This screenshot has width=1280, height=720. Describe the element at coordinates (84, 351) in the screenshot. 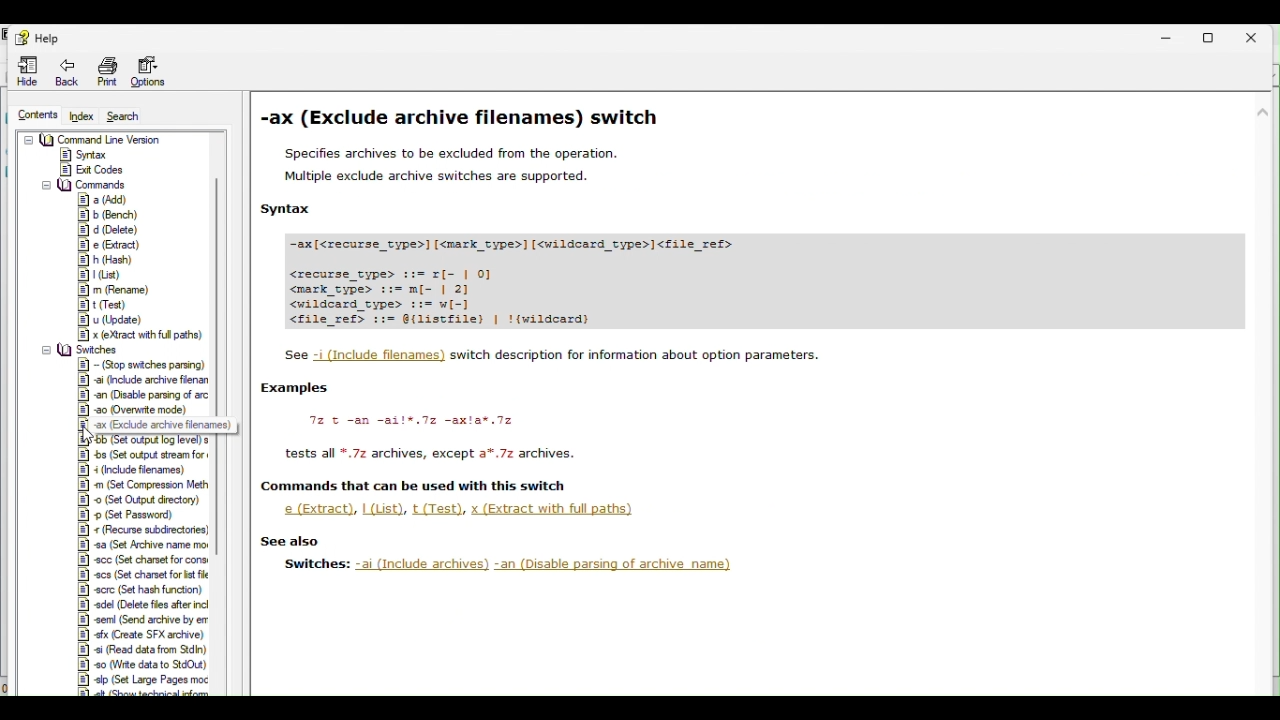

I see ` Switches` at that location.